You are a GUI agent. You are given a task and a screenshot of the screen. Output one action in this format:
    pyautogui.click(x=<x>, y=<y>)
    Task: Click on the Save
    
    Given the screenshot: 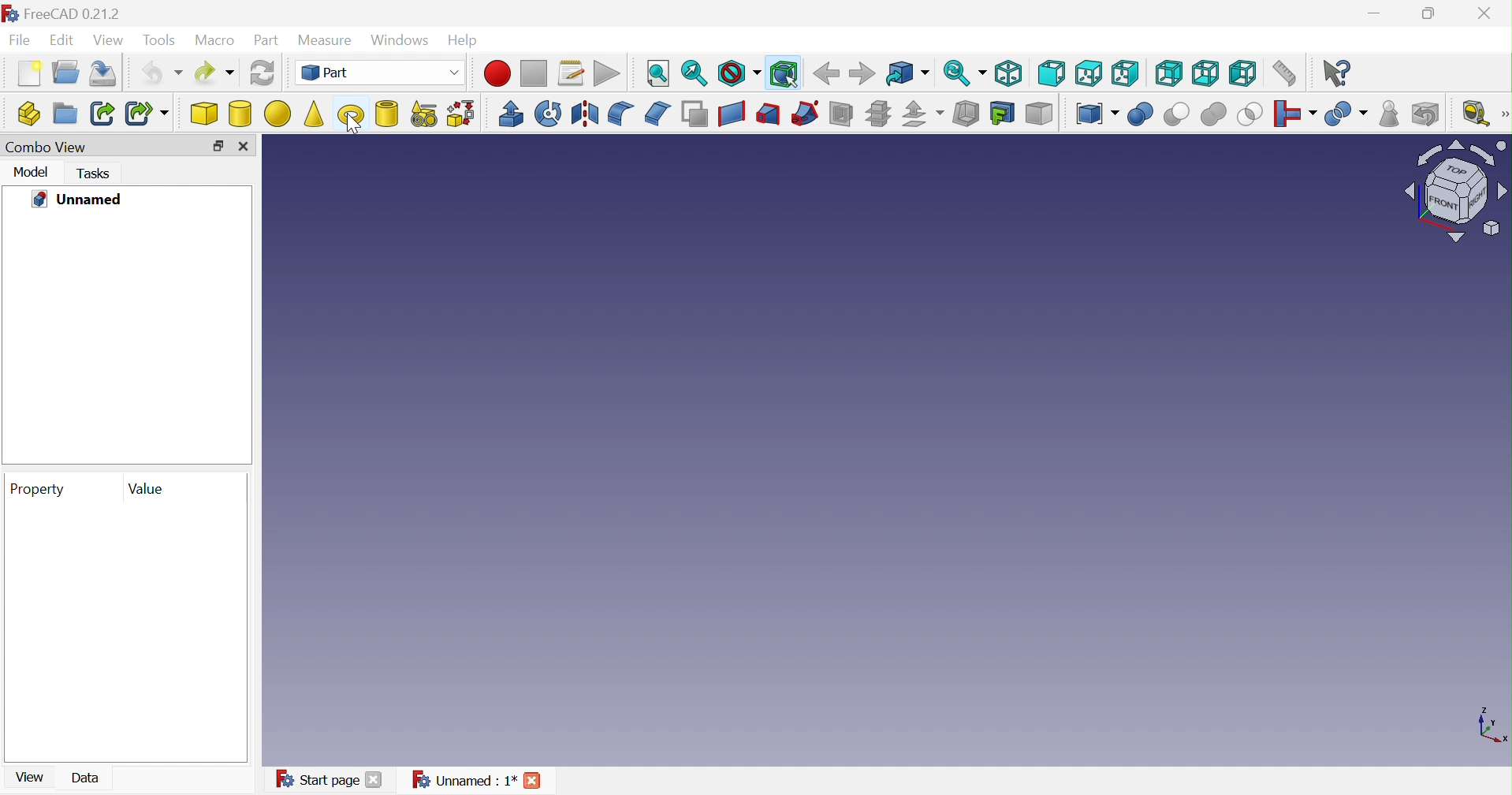 What is the action you would take?
    pyautogui.click(x=104, y=73)
    